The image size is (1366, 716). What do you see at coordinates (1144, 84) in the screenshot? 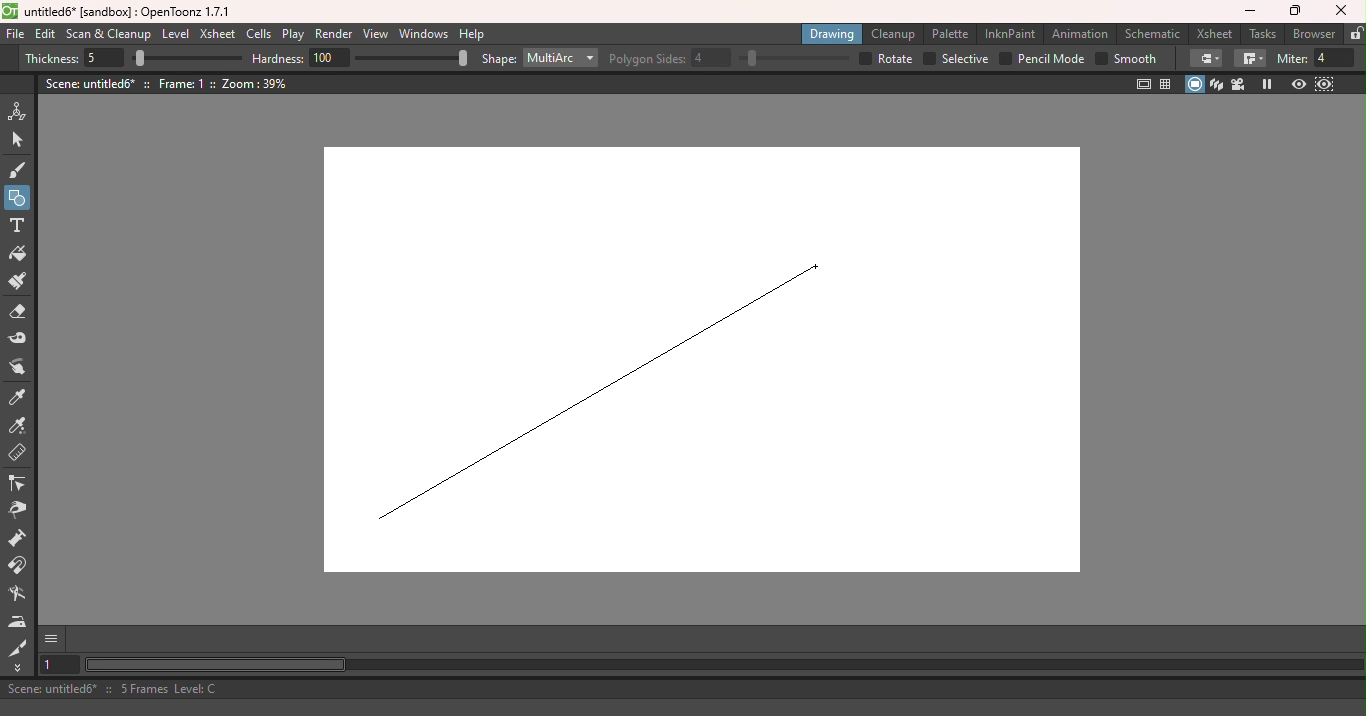
I see `Safe area` at bounding box center [1144, 84].